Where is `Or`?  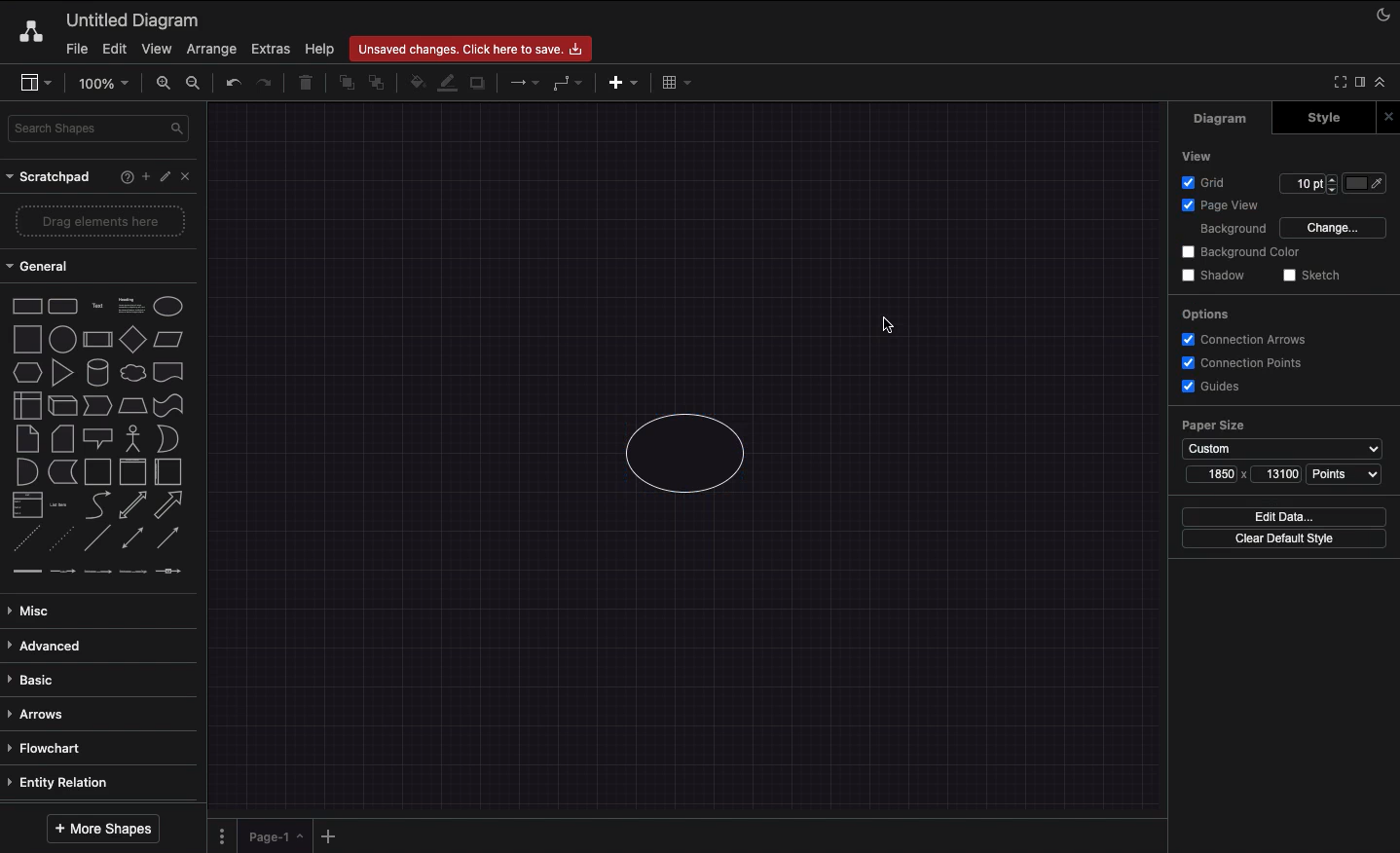 Or is located at coordinates (168, 437).